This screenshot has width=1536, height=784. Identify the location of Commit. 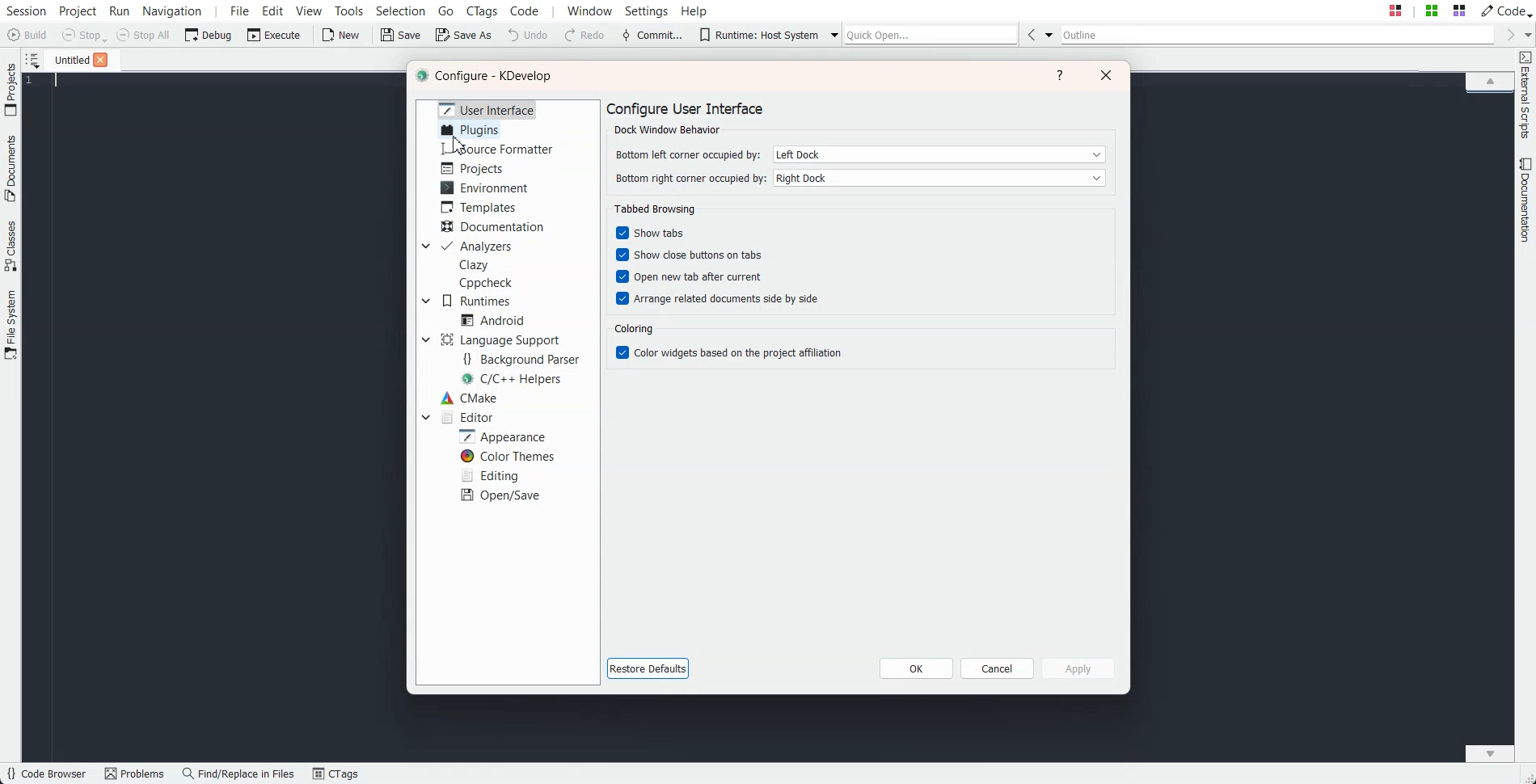
(652, 36).